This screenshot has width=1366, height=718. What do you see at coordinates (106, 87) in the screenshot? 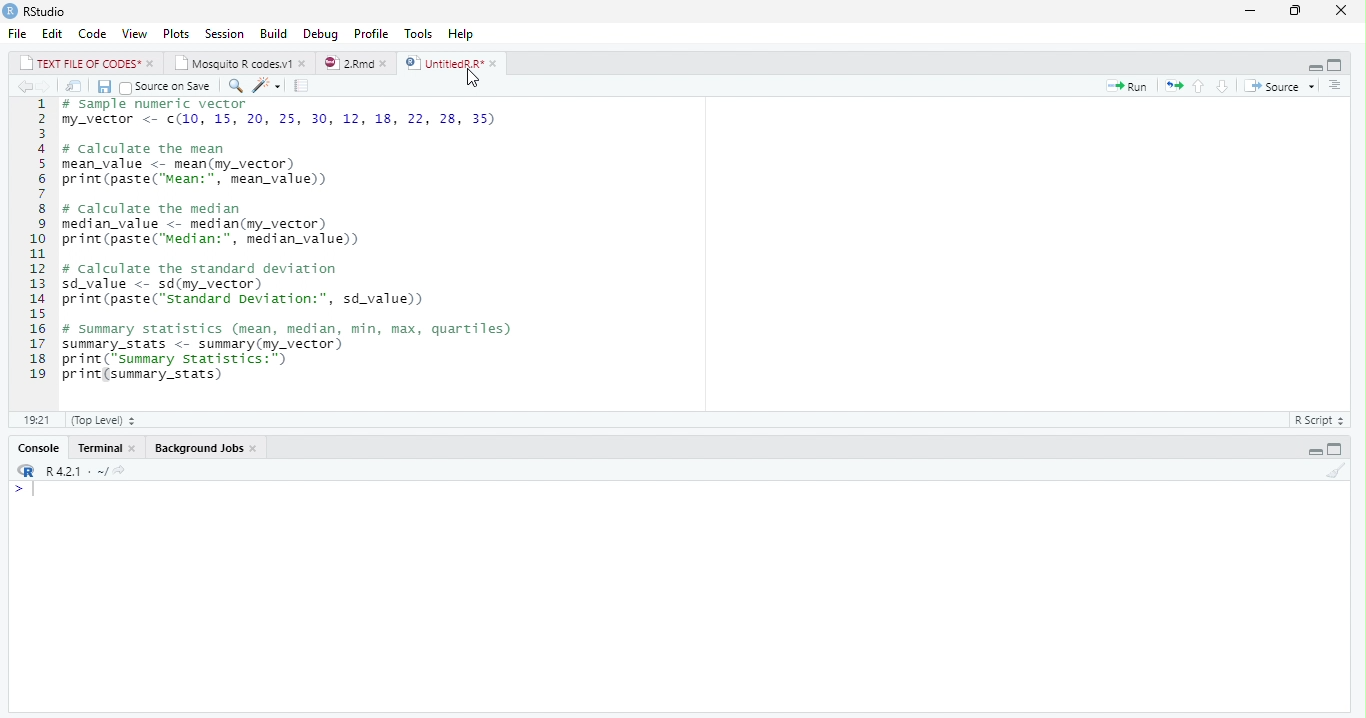
I see `save` at bounding box center [106, 87].